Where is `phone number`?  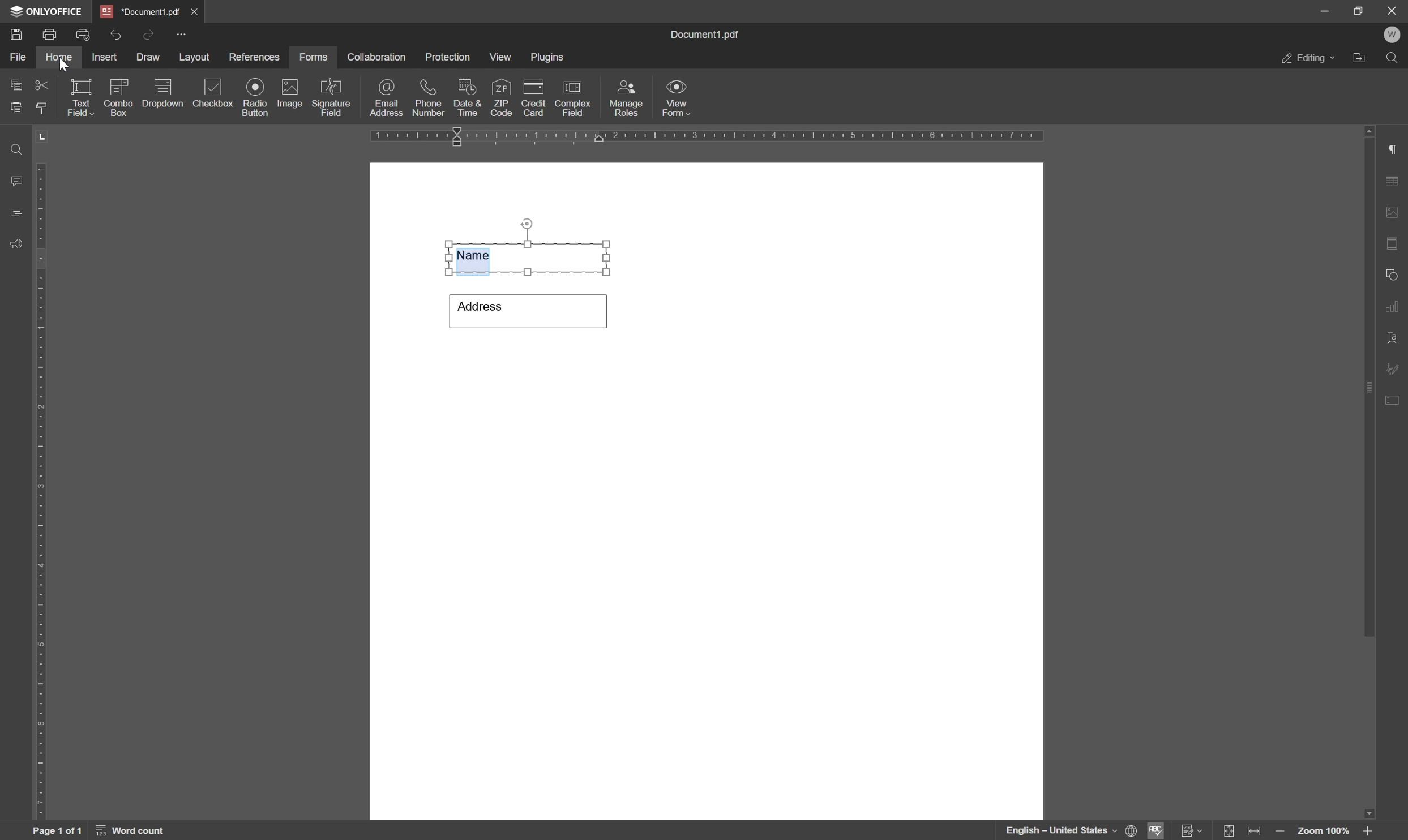 phone number is located at coordinates (429, 98).